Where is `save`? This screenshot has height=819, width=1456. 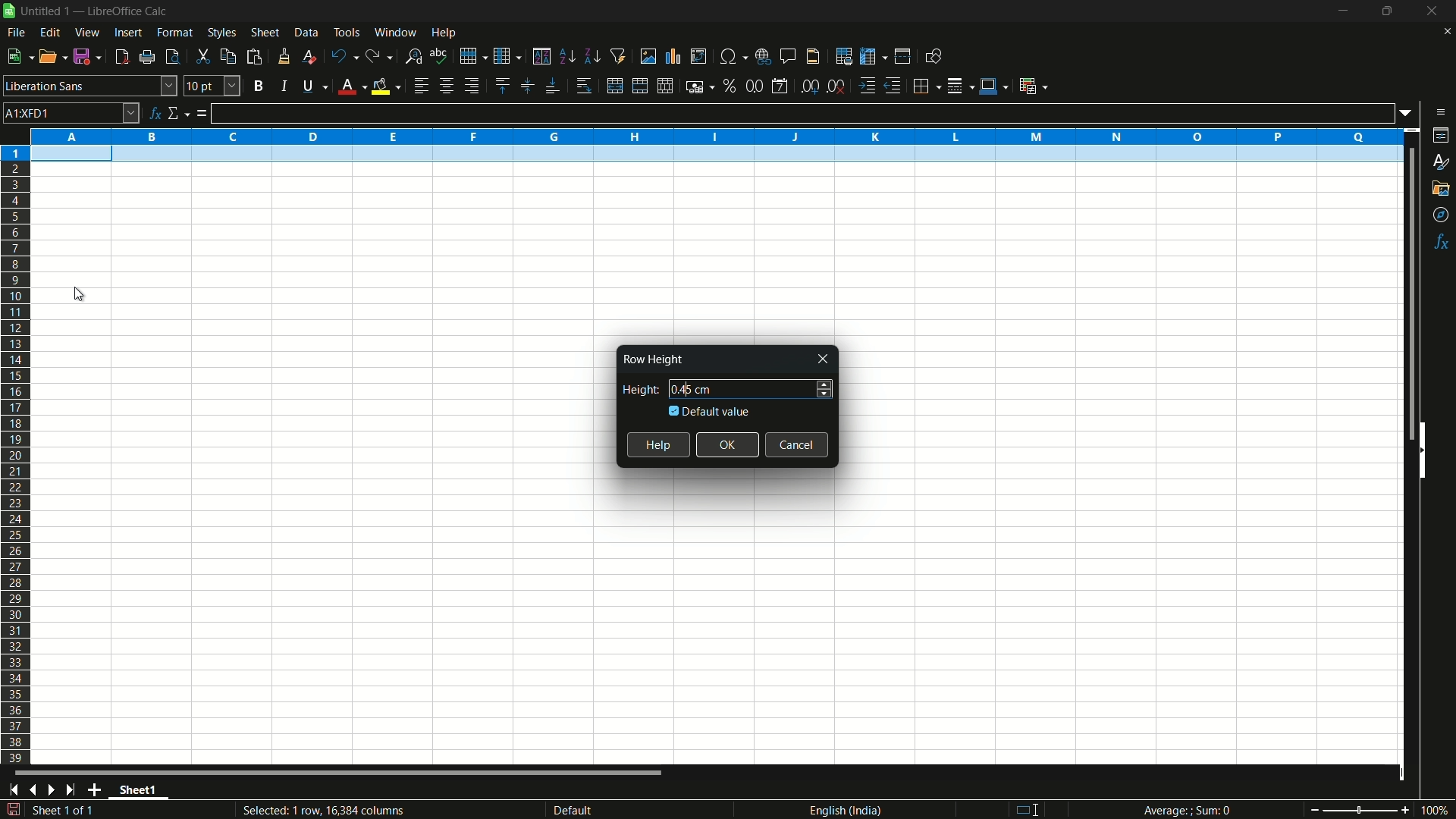
save is located at coordinates (89, 57).